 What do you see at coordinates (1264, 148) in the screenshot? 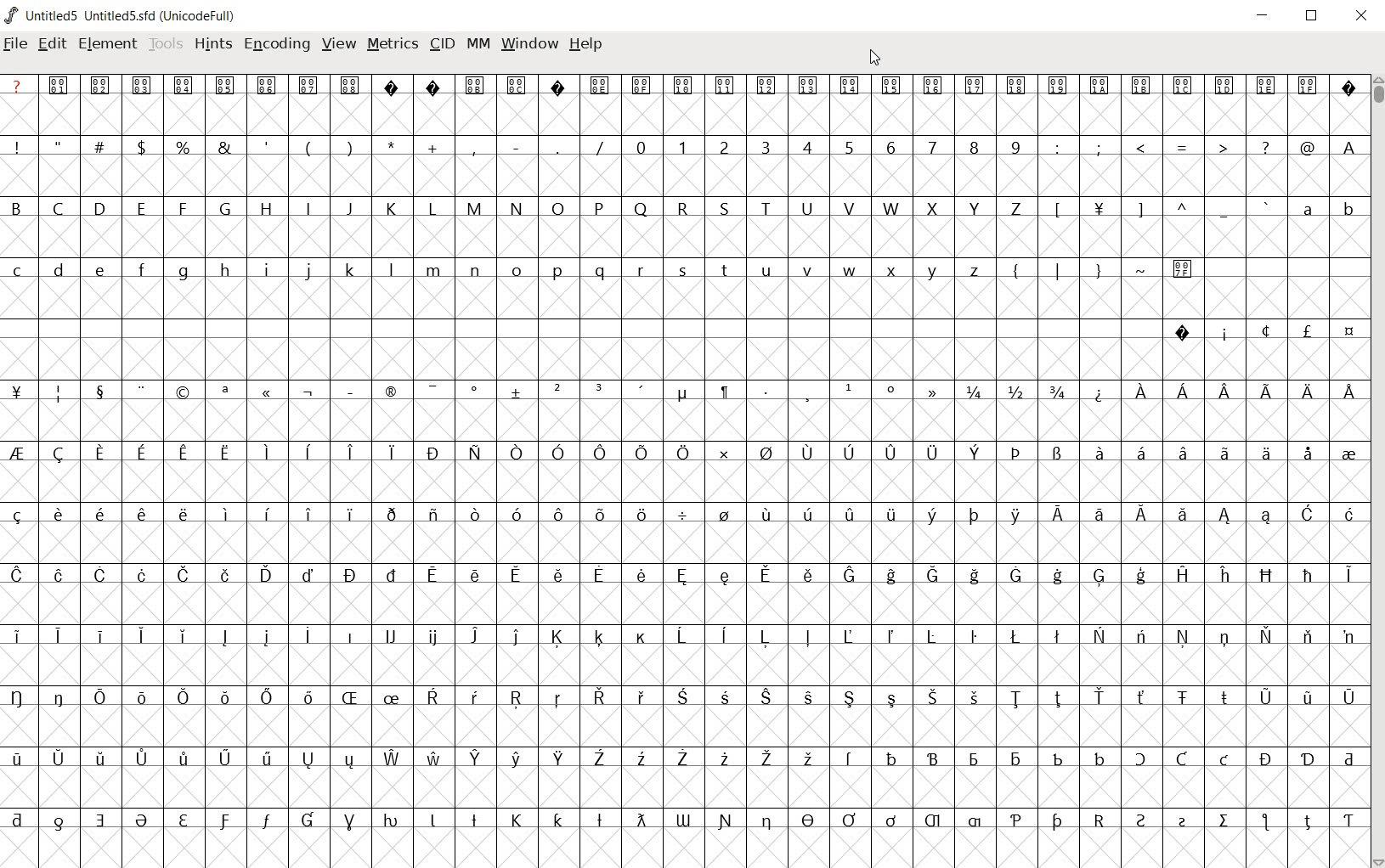
I see `?` at bounding box center [1264, 148].